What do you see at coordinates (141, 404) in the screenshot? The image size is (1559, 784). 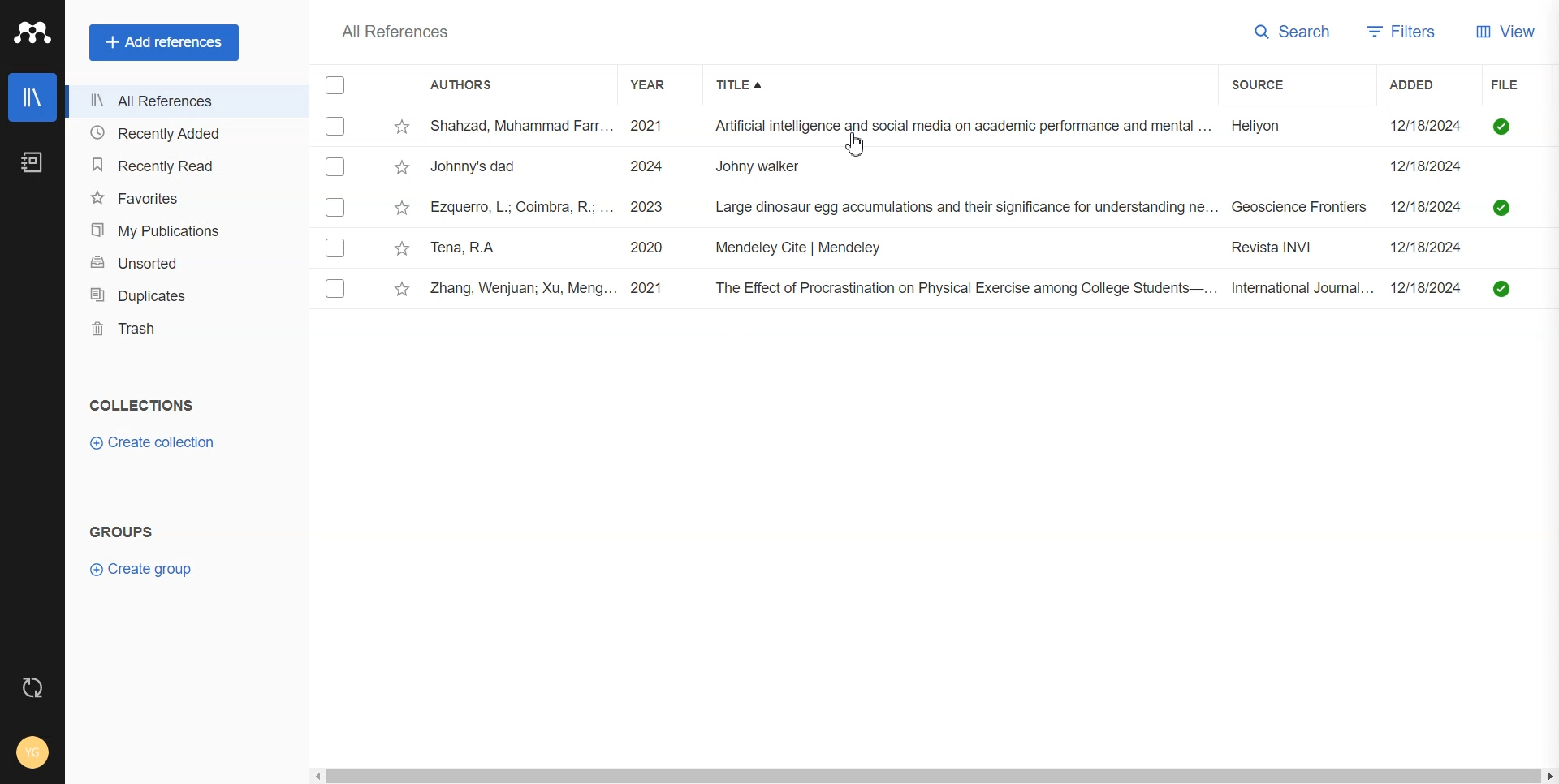 I see `Text ` at bounding box center [141, 404].